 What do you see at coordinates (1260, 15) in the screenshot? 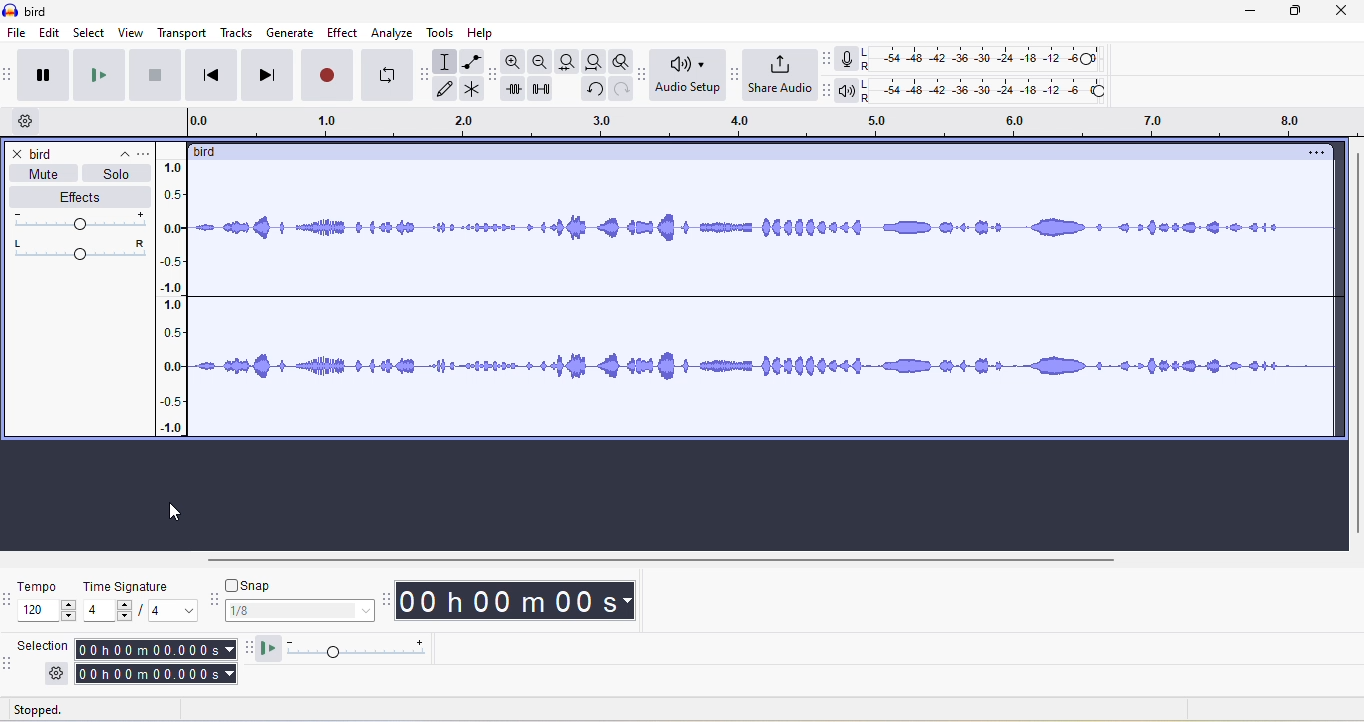
I see `minimize` at bounding box center [1260, 15].